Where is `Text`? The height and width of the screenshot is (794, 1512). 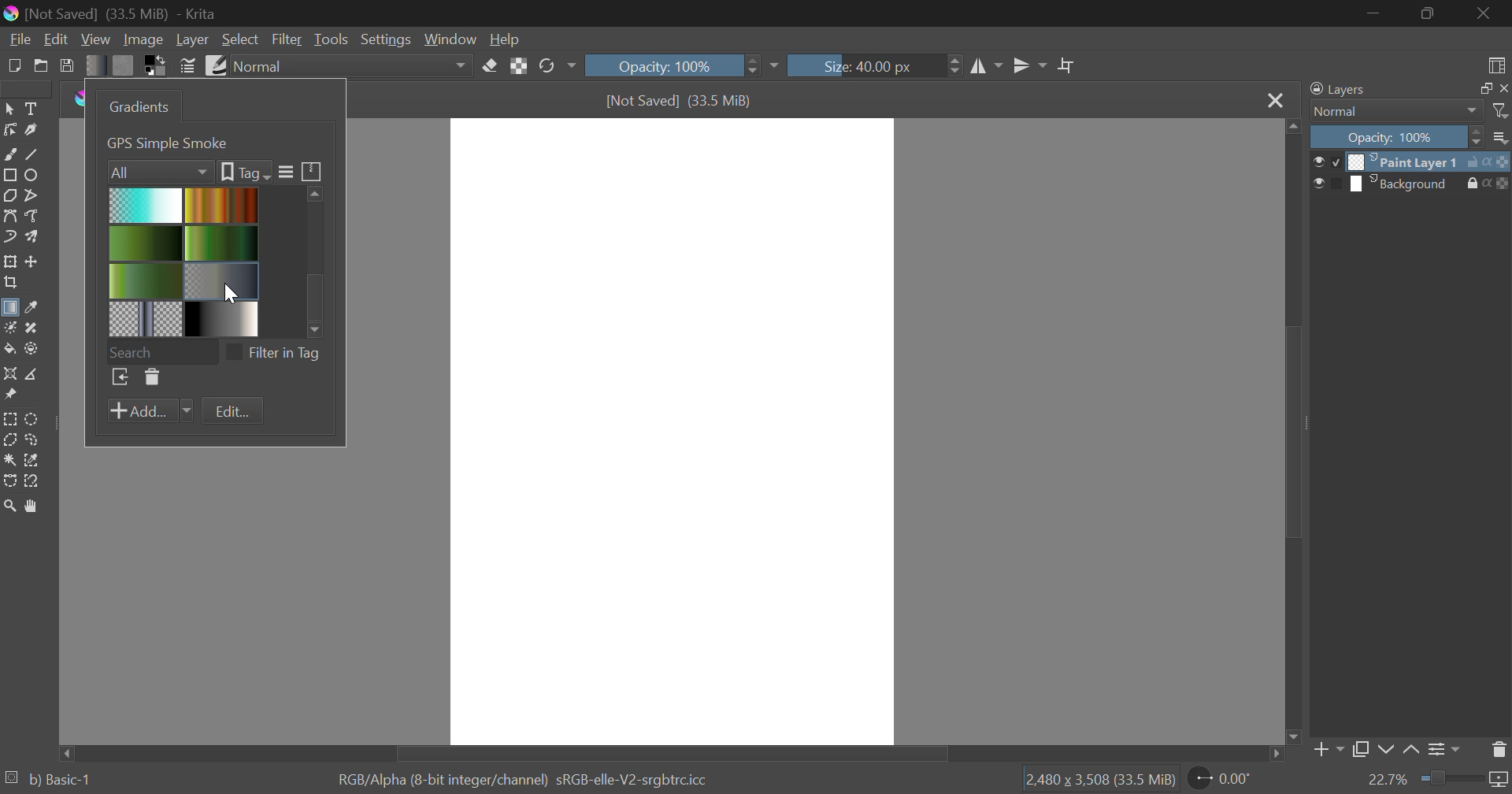
Text is located at coordinates (30, 107).